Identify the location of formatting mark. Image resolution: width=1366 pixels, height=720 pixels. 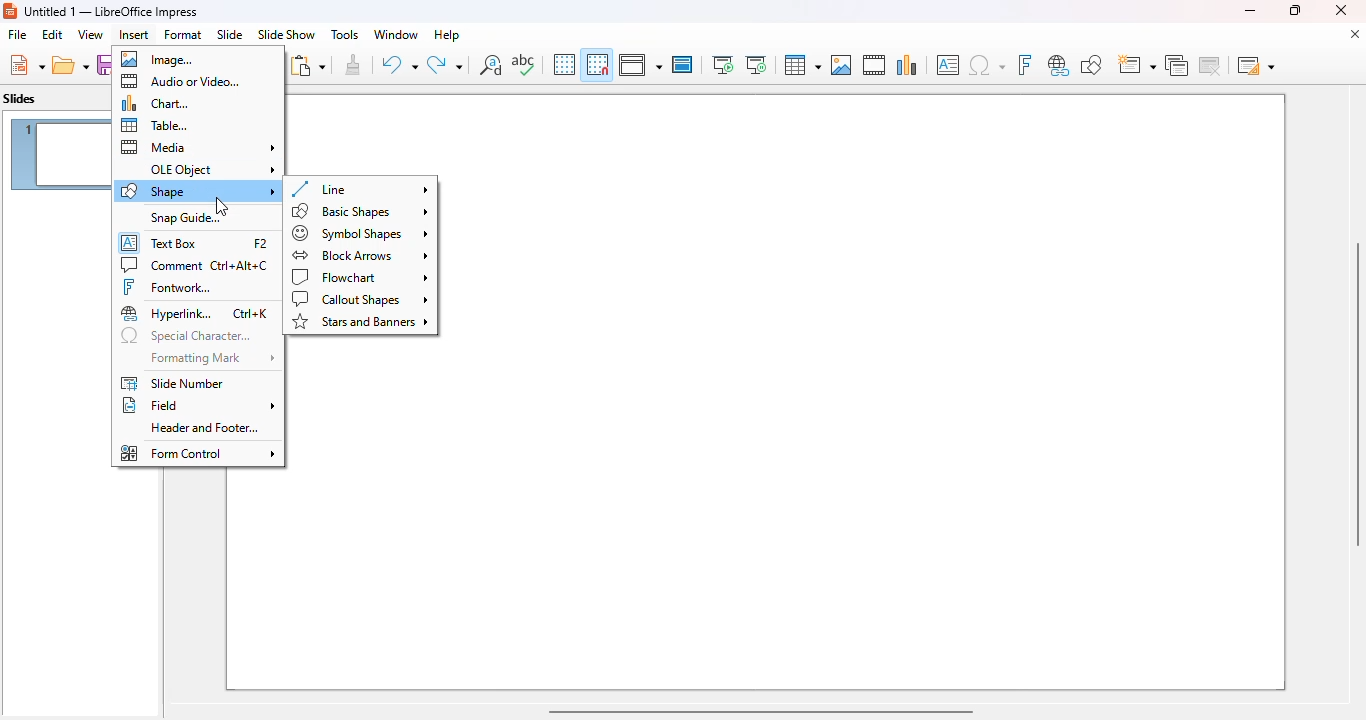
(211, 359).